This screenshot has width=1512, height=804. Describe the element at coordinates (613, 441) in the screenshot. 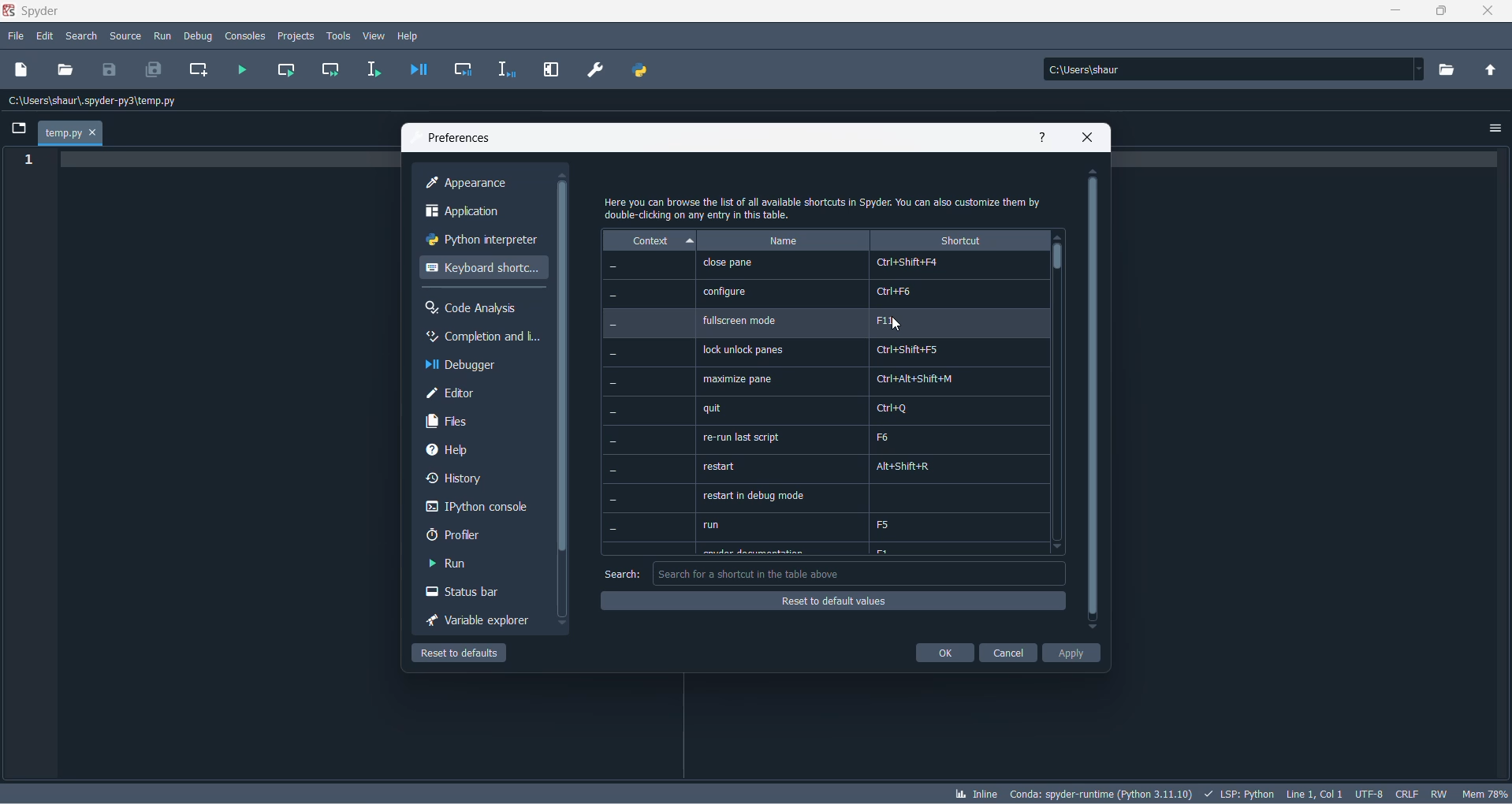

I see `-` at that location.